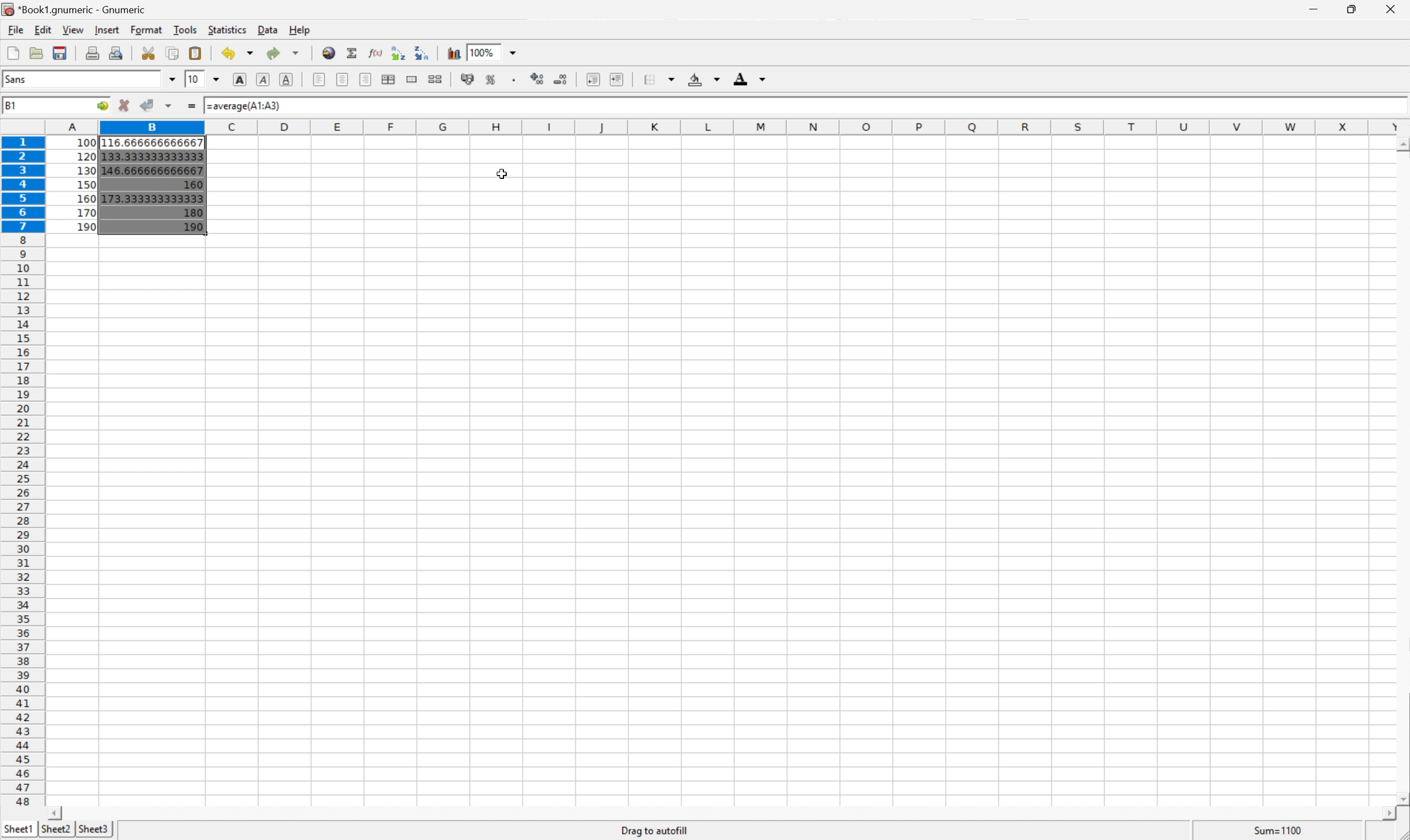  I want to click on Decrease indent, and align the contents to the left, so click(592, 79).